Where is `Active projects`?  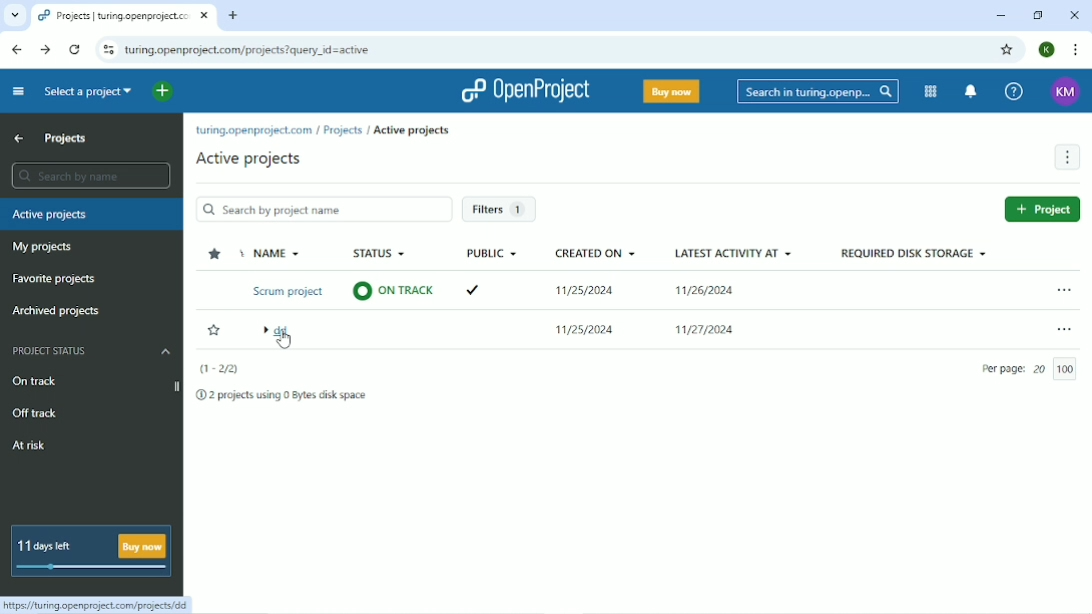 Active projects is located at coordinates (91, 215).